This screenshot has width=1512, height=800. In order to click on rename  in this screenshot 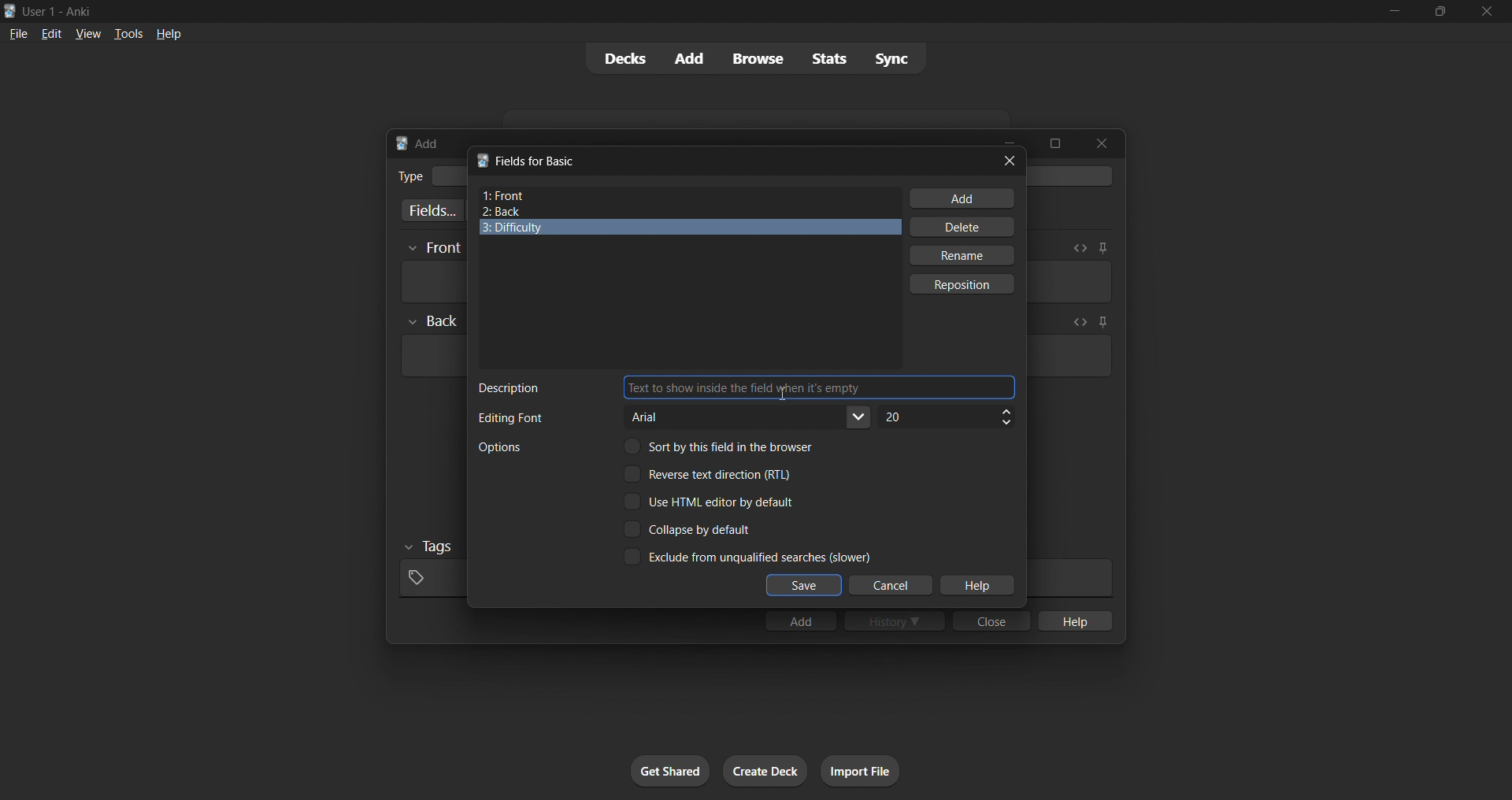, I will do `click(961, 255)`.